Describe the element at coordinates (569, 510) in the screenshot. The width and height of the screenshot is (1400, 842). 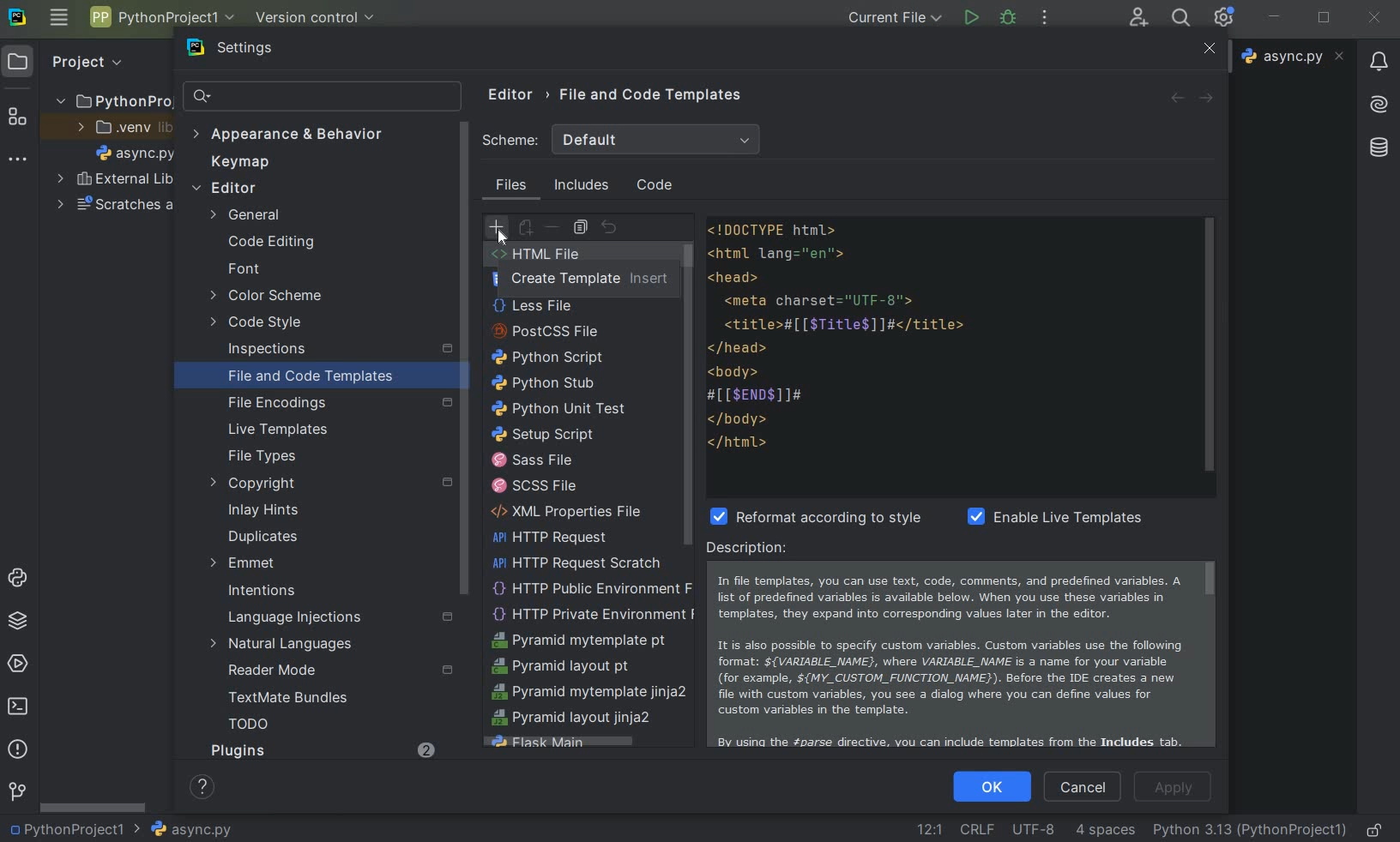
I see `XML Properties File` at that location.